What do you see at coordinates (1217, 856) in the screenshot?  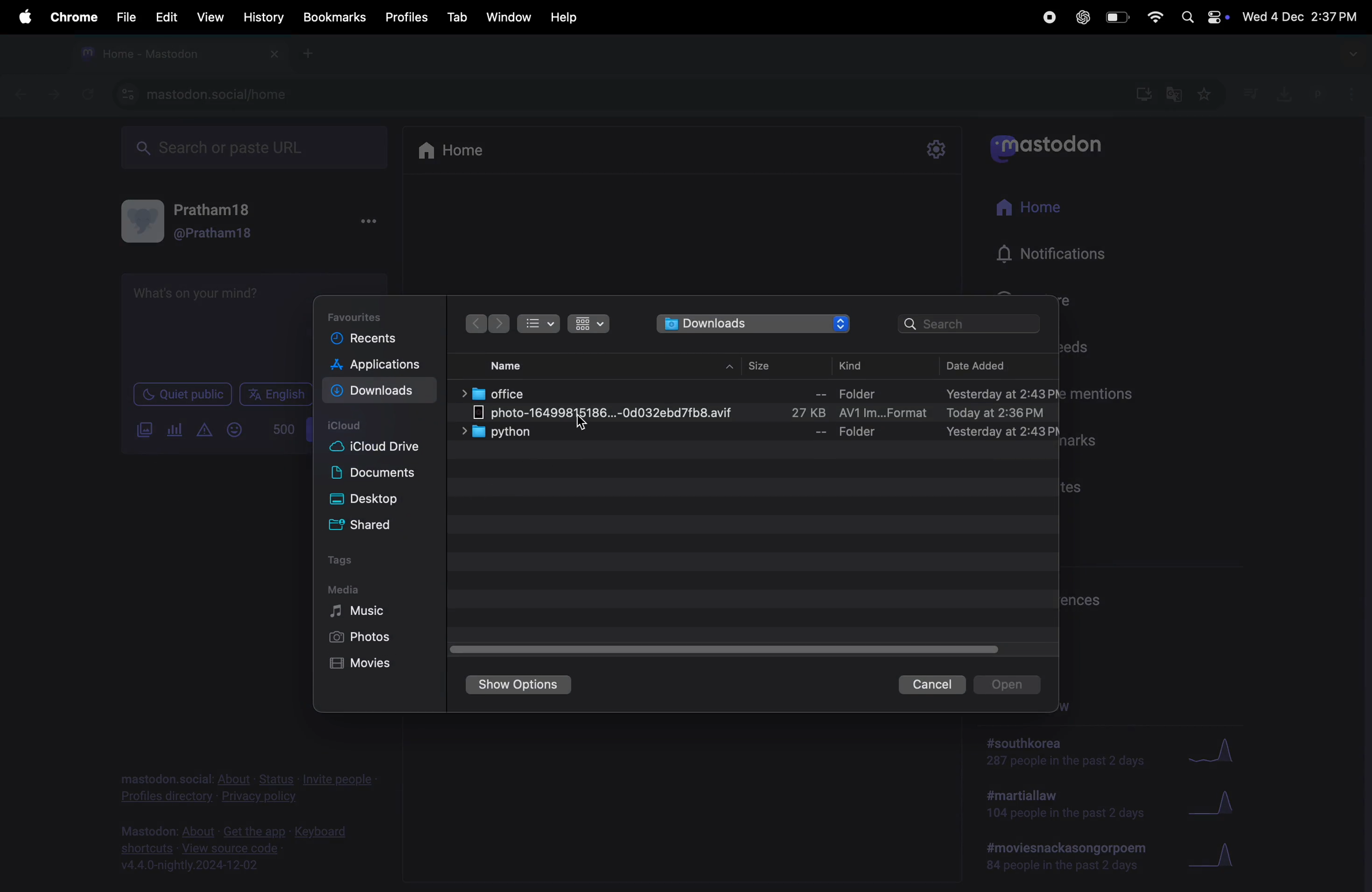 I see `Graph` at bounding box center [1217, 856].